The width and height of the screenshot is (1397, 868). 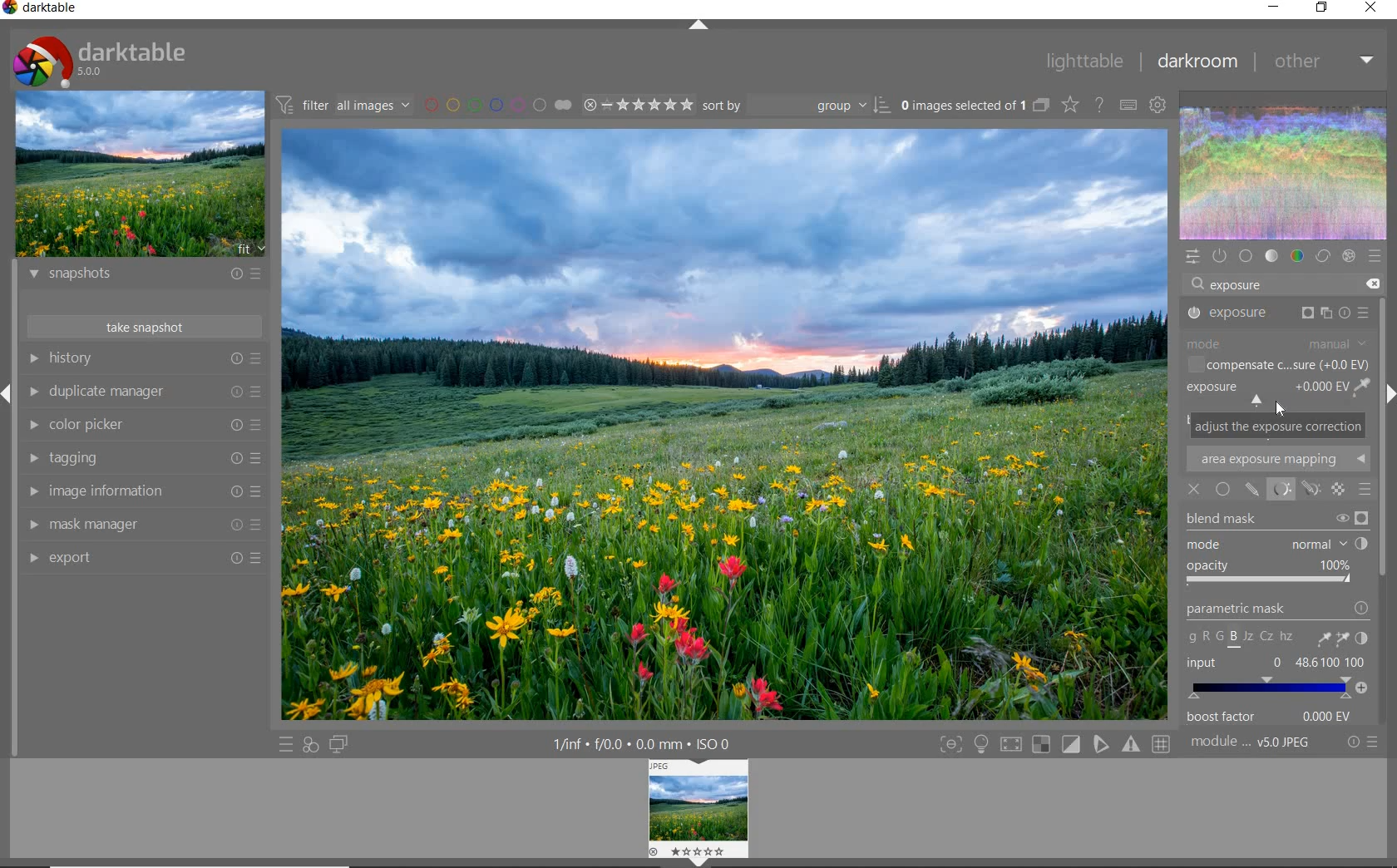 I want to click on effect, so click(x=1348, y=258).